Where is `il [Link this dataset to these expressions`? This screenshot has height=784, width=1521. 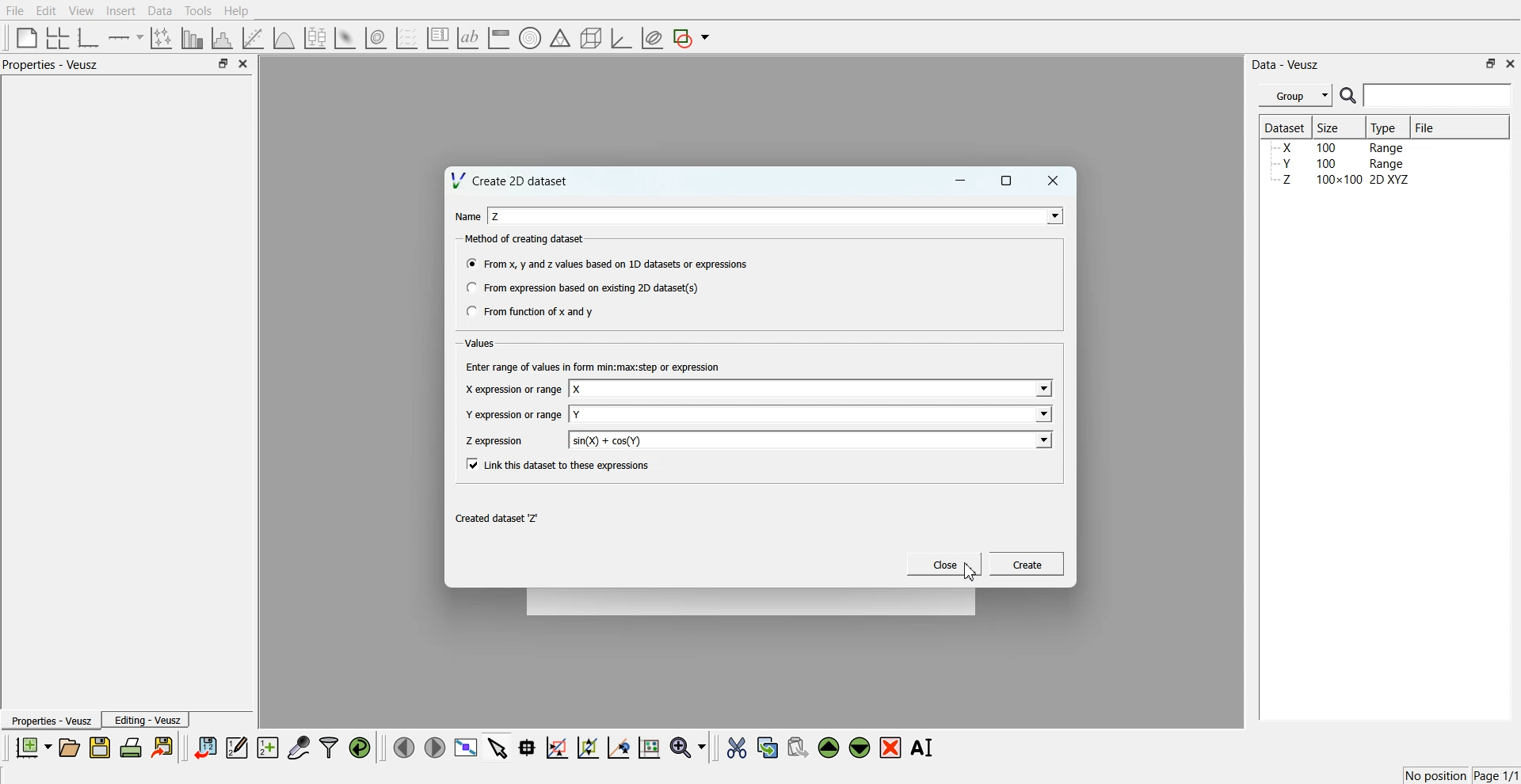
il [Link this dataset to these expressions is located at coordinates (559, 464).